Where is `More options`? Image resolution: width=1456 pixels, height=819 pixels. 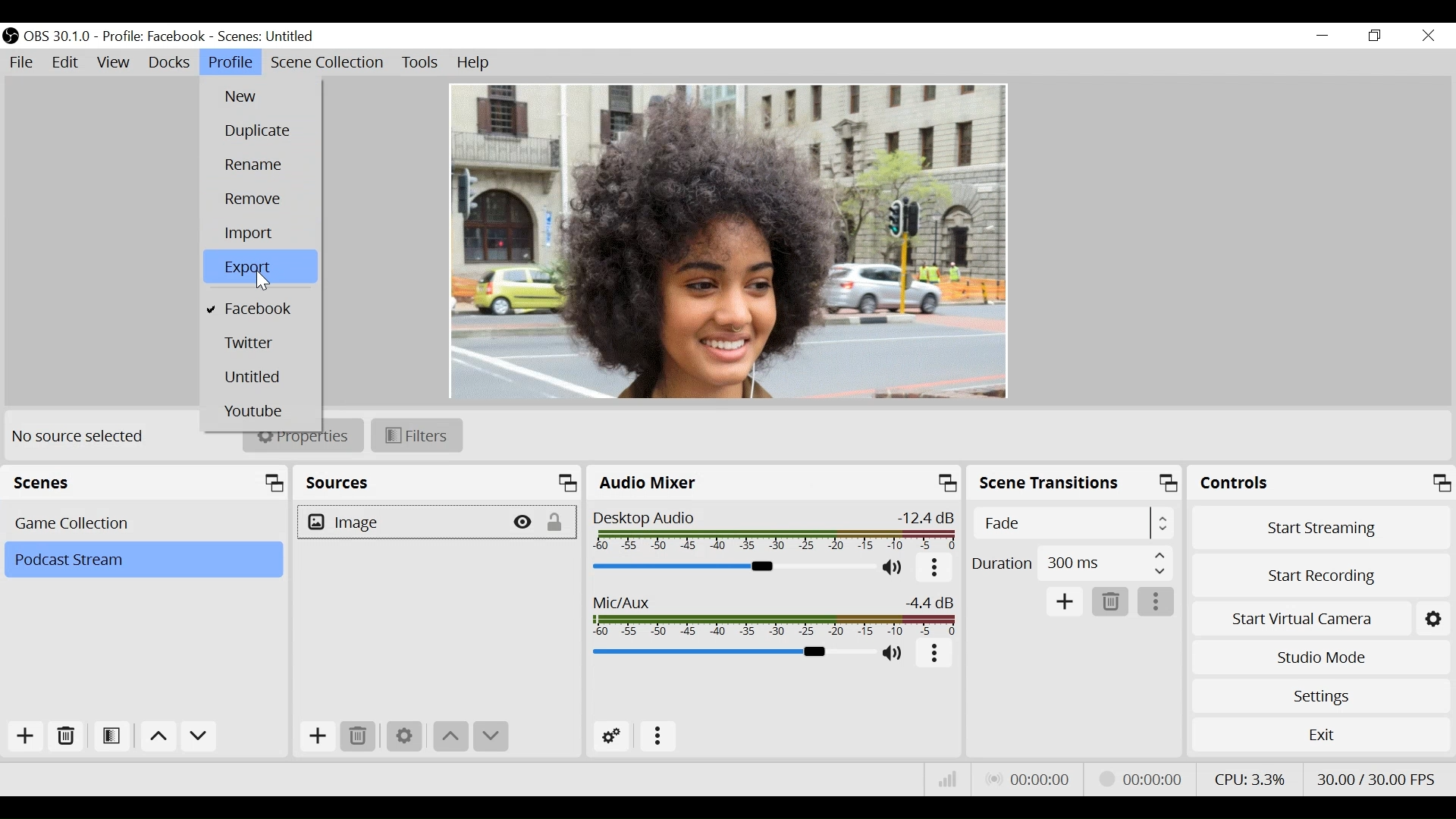 More options is located at coordinates (936, 655).